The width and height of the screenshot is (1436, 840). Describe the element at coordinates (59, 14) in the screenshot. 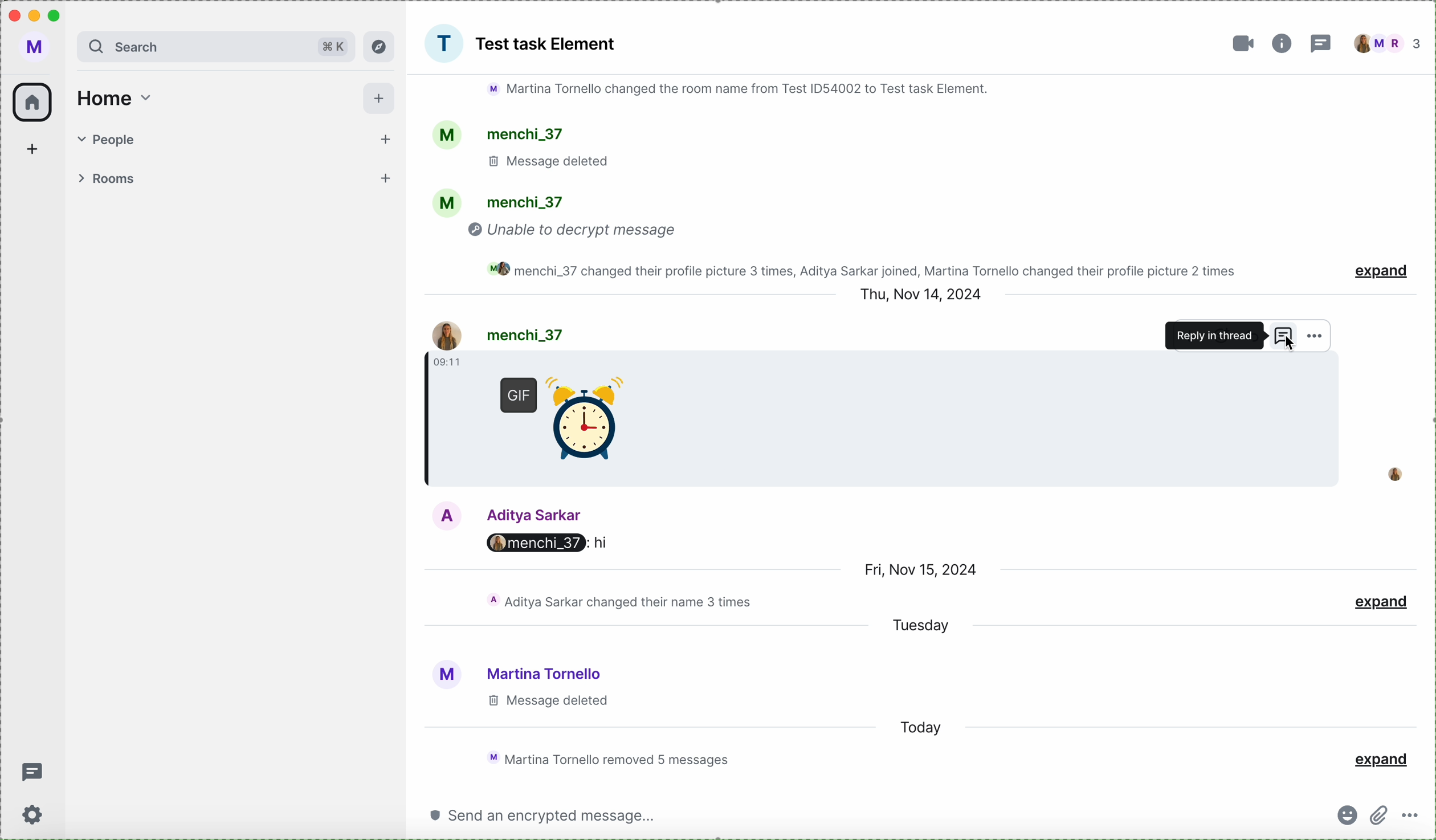

I see `maximize program` at that location.